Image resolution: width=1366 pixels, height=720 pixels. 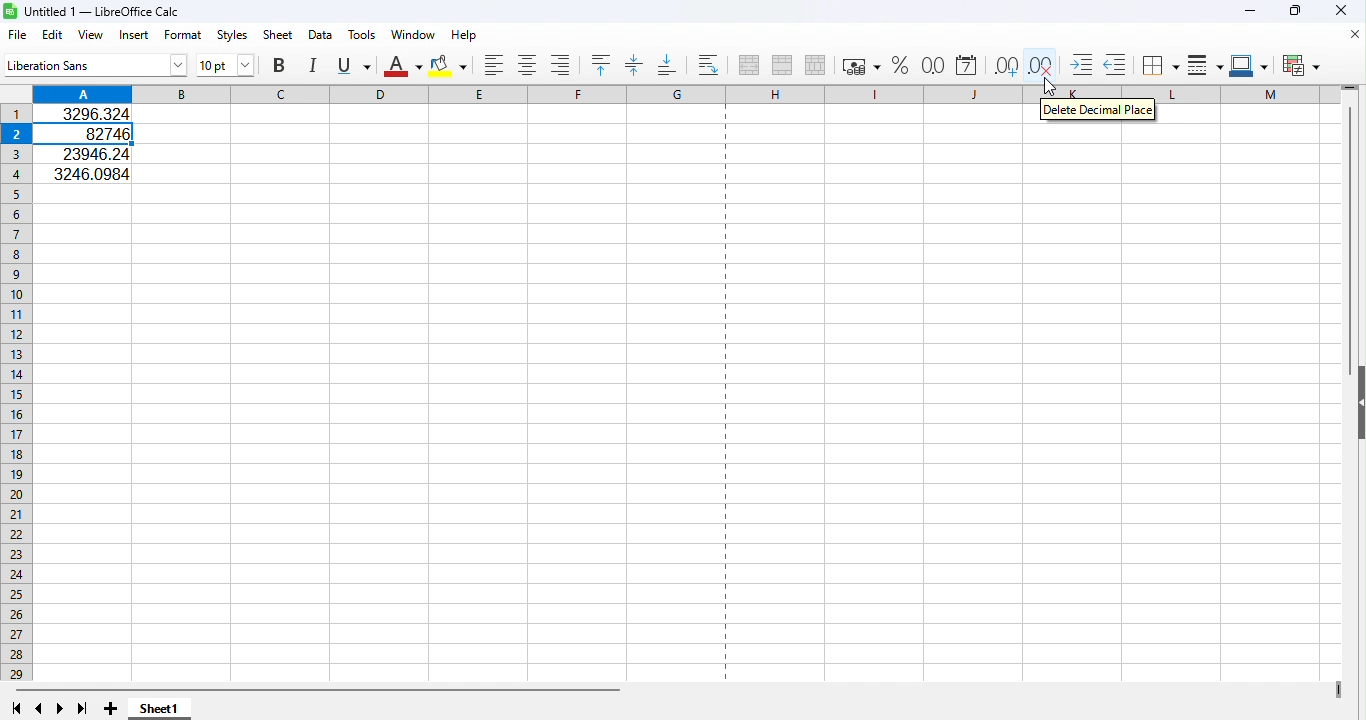 What do you see at coordinates (1205, 63) in the screenshot?
I see `Border style` at bounding box center [1205, 63].